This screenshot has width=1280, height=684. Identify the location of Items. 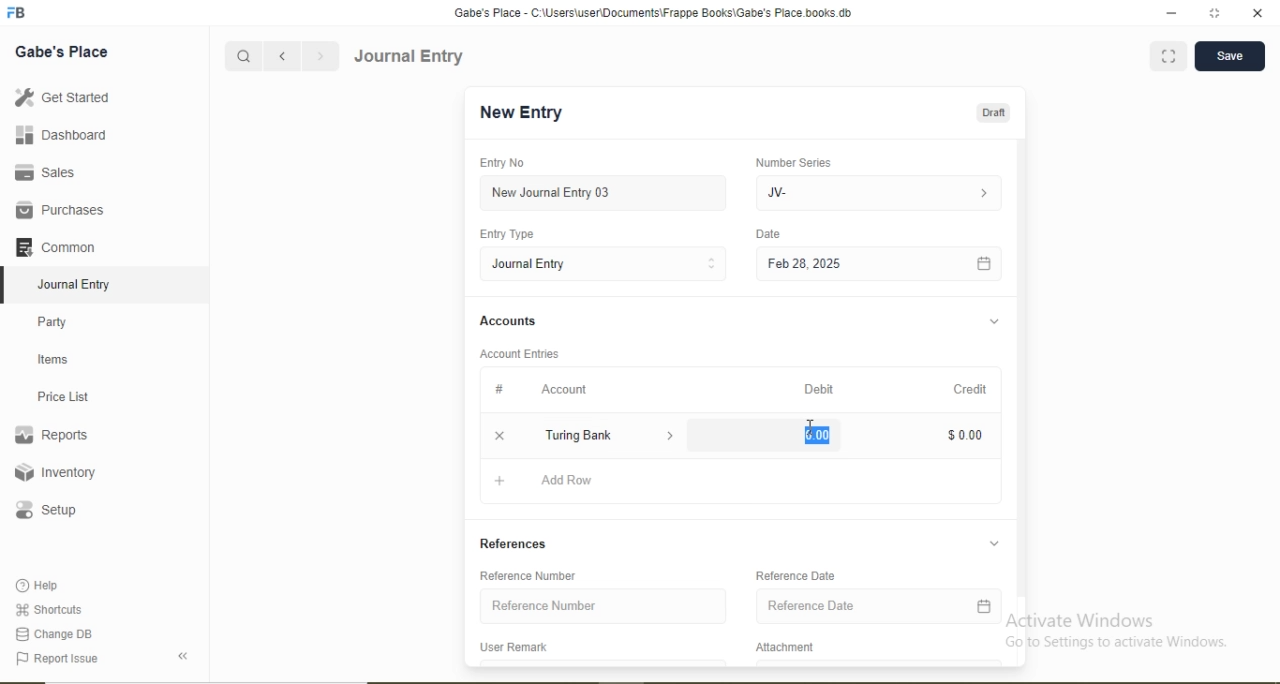
(53, 359).